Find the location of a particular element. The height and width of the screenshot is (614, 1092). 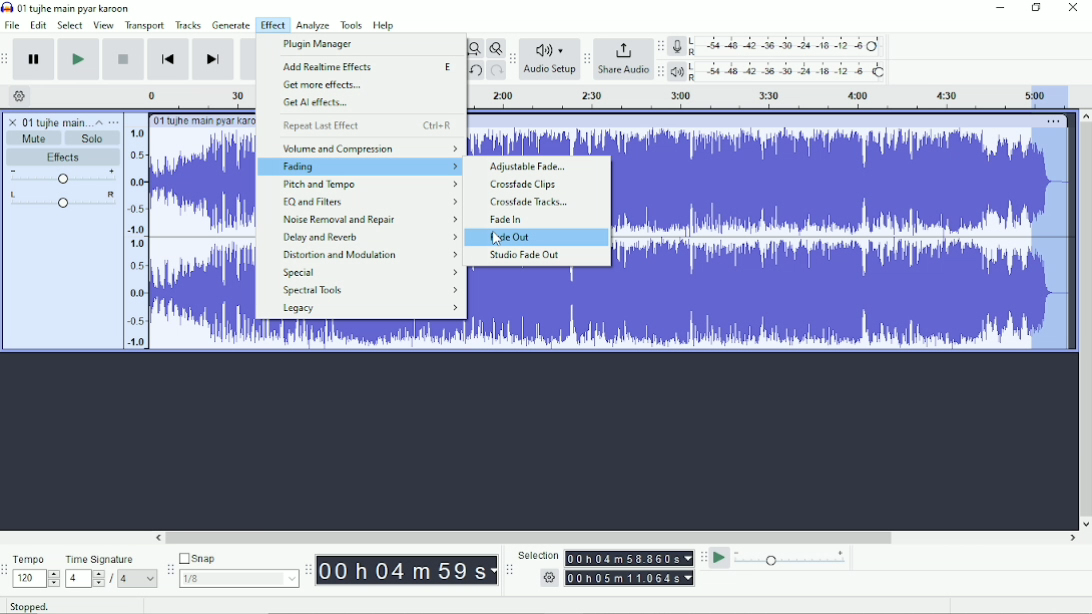

Audacity time toolbar is located at coordinates (309, 570).